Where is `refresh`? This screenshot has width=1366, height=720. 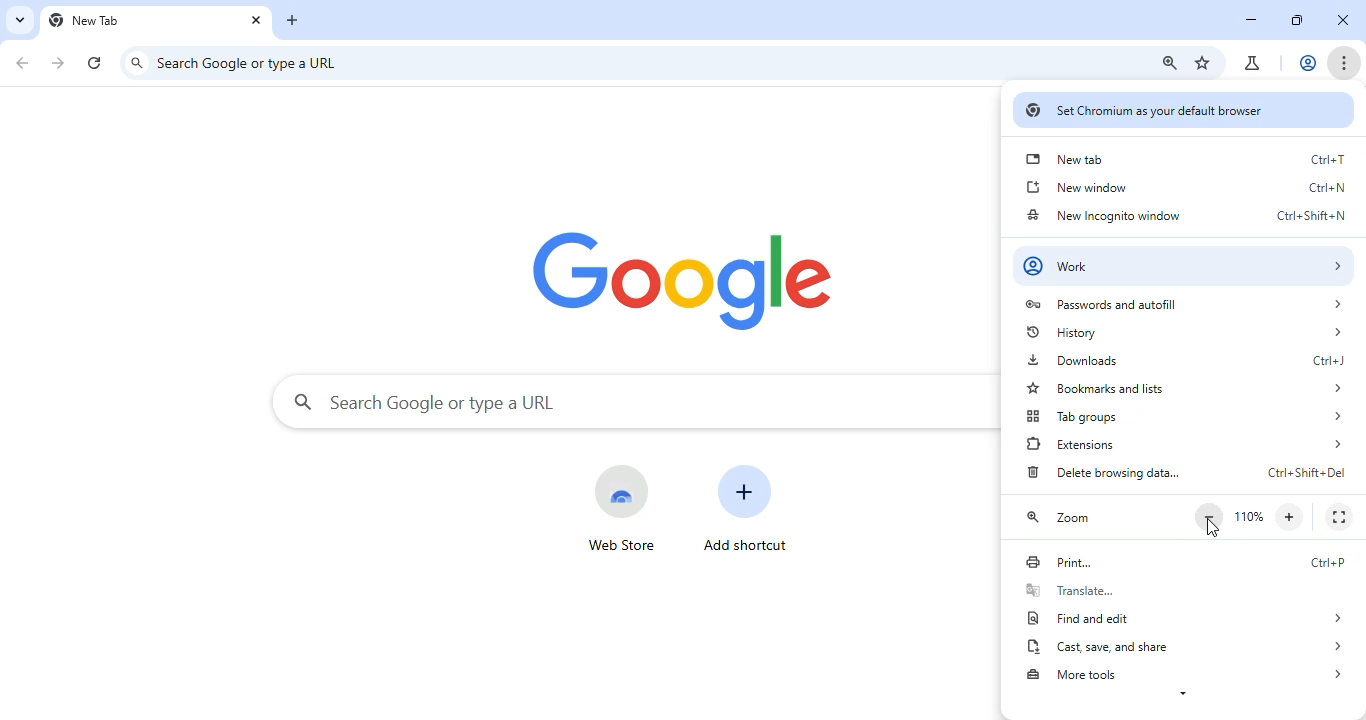 refresh is located at coordinates (96, 60).